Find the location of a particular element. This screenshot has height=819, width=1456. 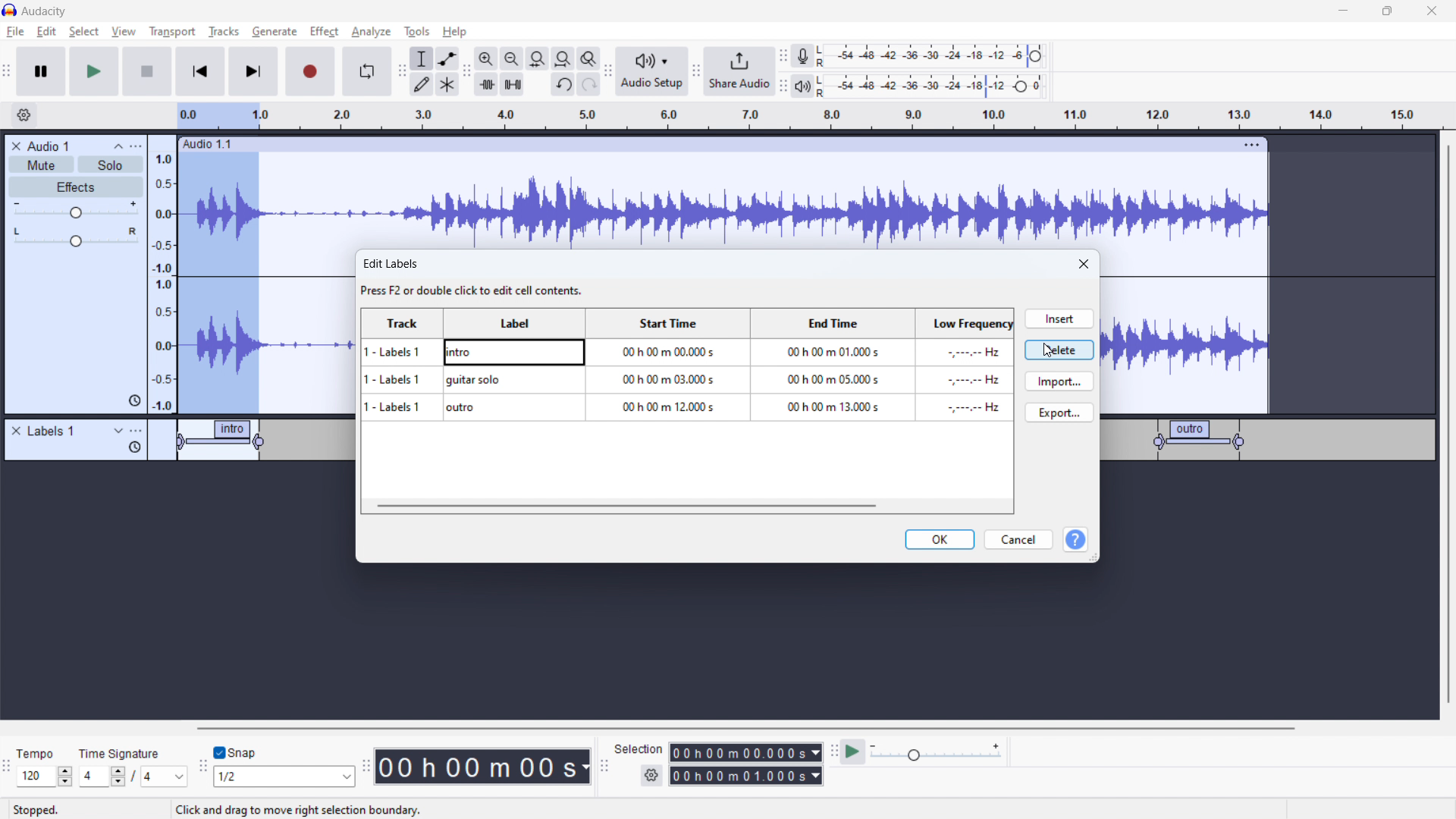

play at speed is located at coordinates (852, 751).